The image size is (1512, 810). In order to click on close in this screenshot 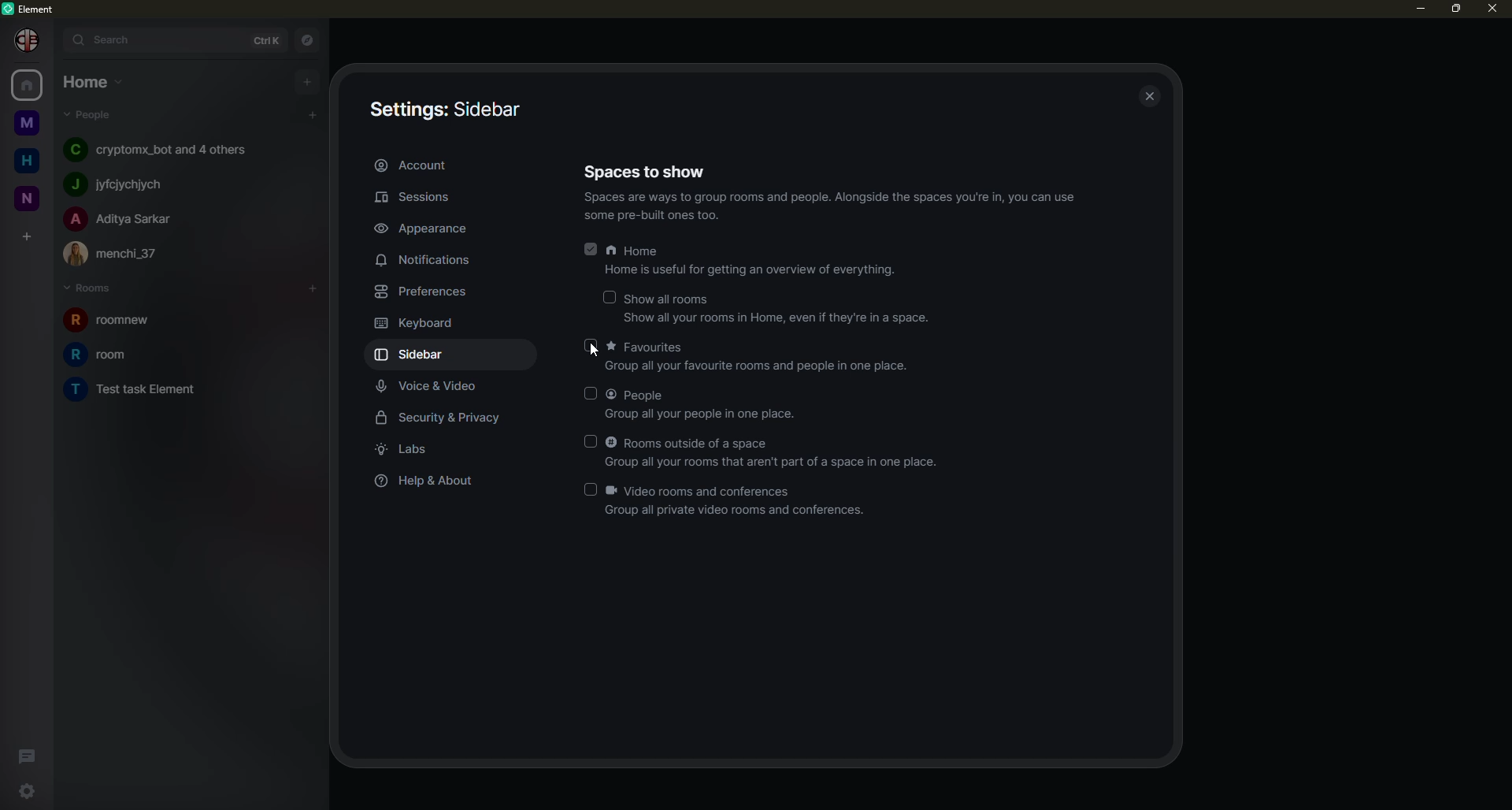, I will do `click(1147, 95)`.